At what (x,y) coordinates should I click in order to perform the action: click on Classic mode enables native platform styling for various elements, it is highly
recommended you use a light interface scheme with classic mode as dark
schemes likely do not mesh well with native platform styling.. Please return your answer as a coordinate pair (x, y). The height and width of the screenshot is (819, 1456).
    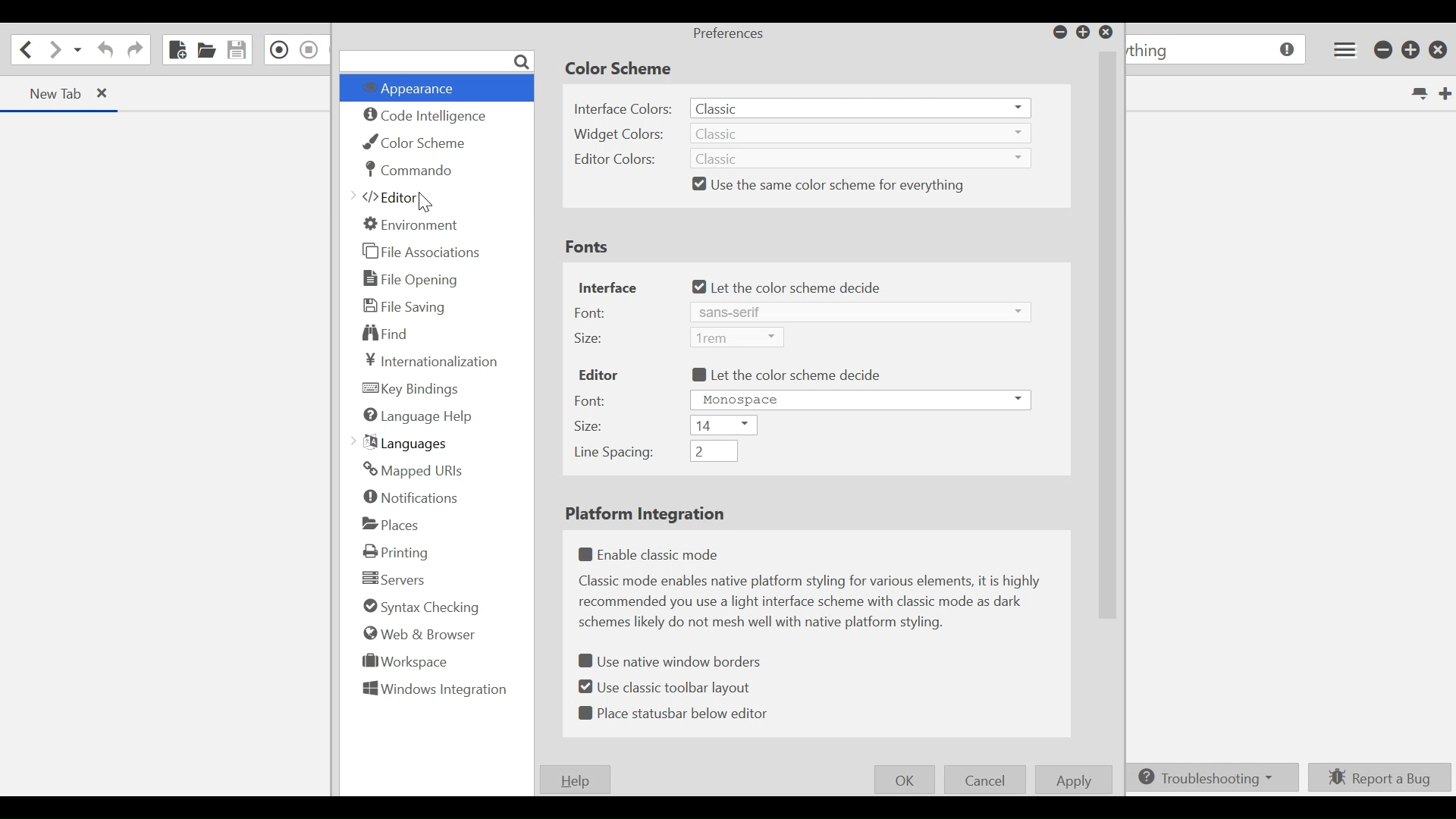
    Looking at the image, I should click on (816, 605).